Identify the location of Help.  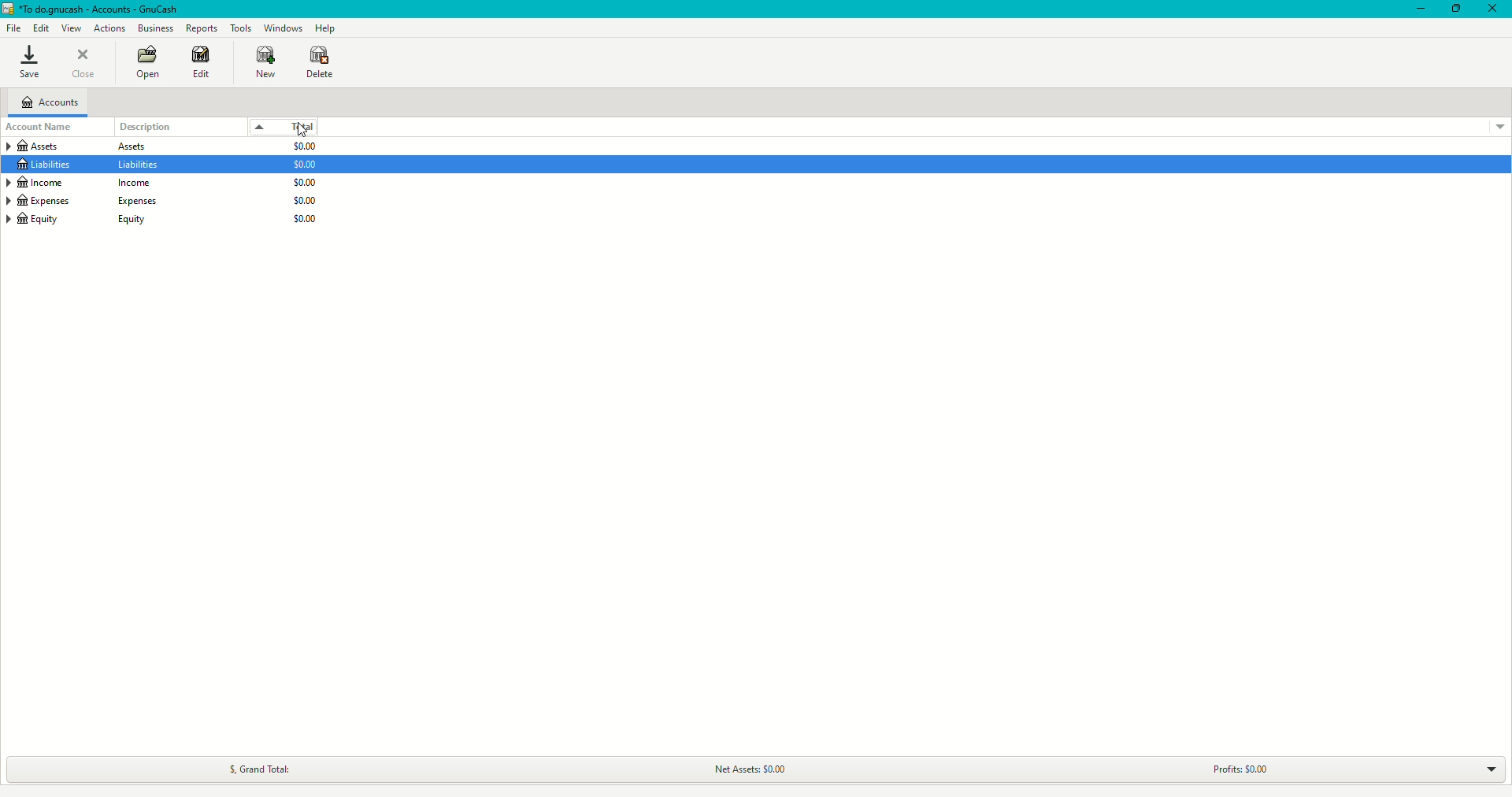
(324, 28).